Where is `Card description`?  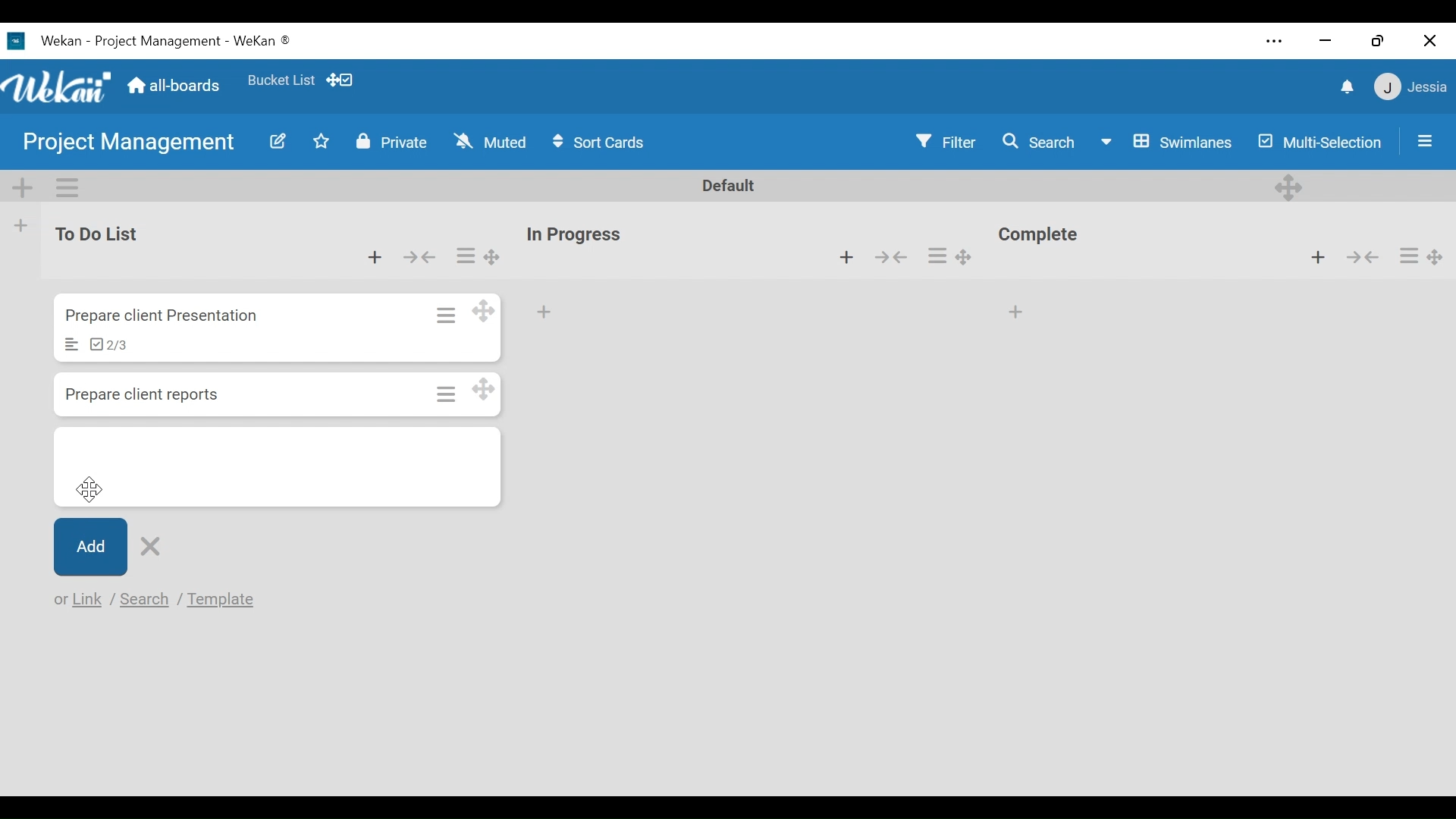
Card description is located at coordinates (72, 345).